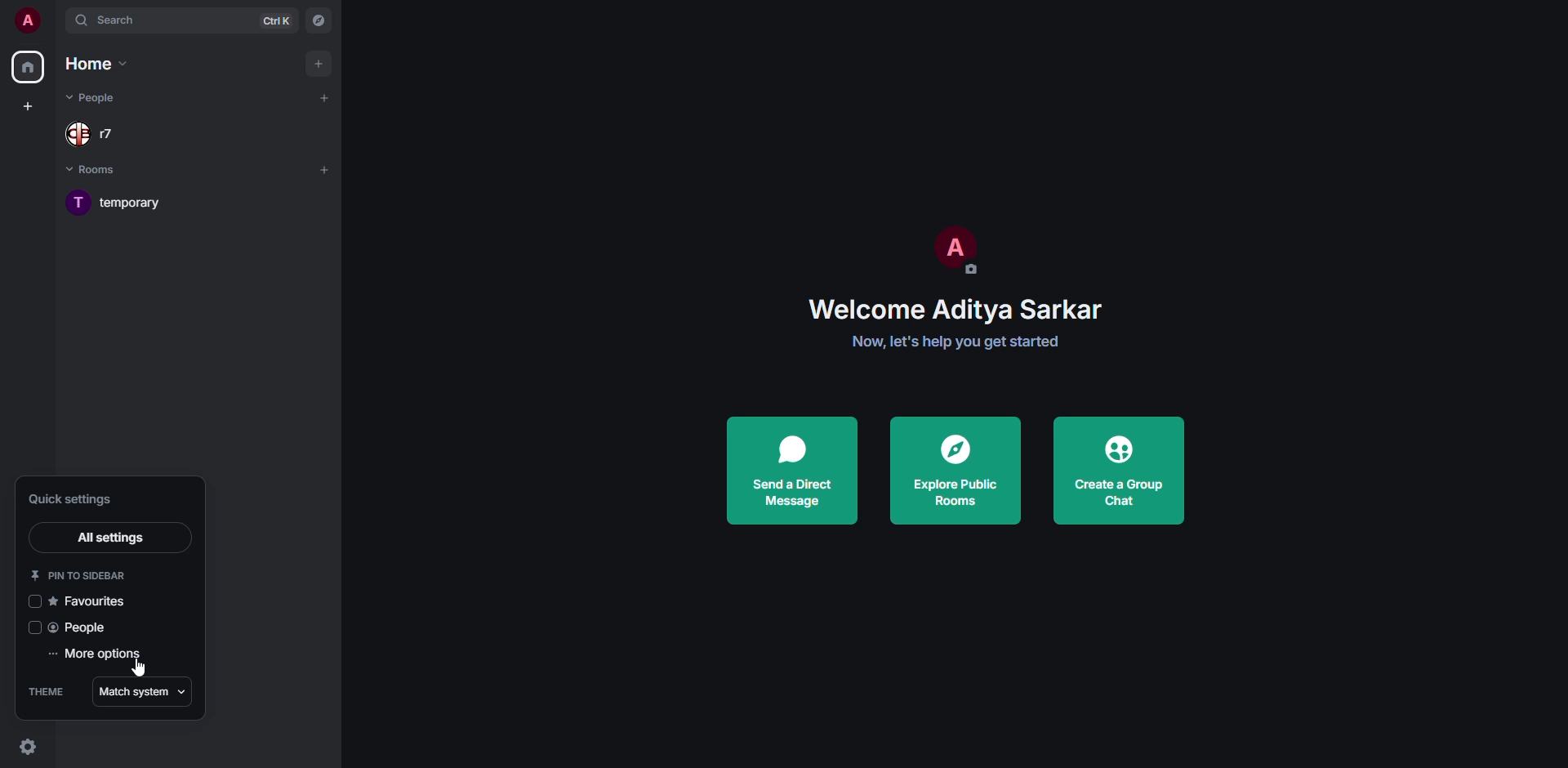 This screenshot has height=768, width=1568. I want to click on click to enable, so click(30, 627).